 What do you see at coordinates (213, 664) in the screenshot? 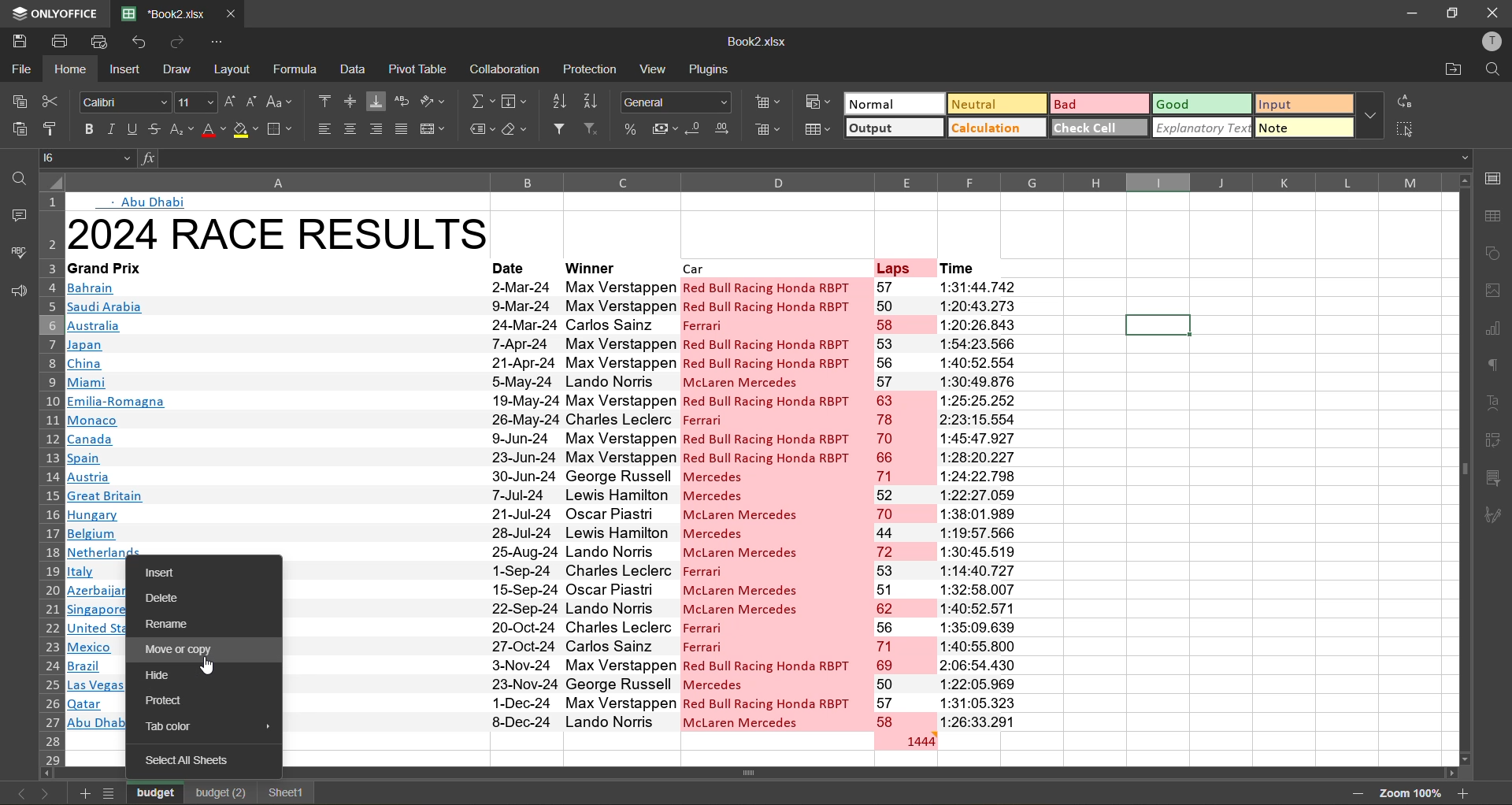
I see `cursor` at bounding box center [213, 664].